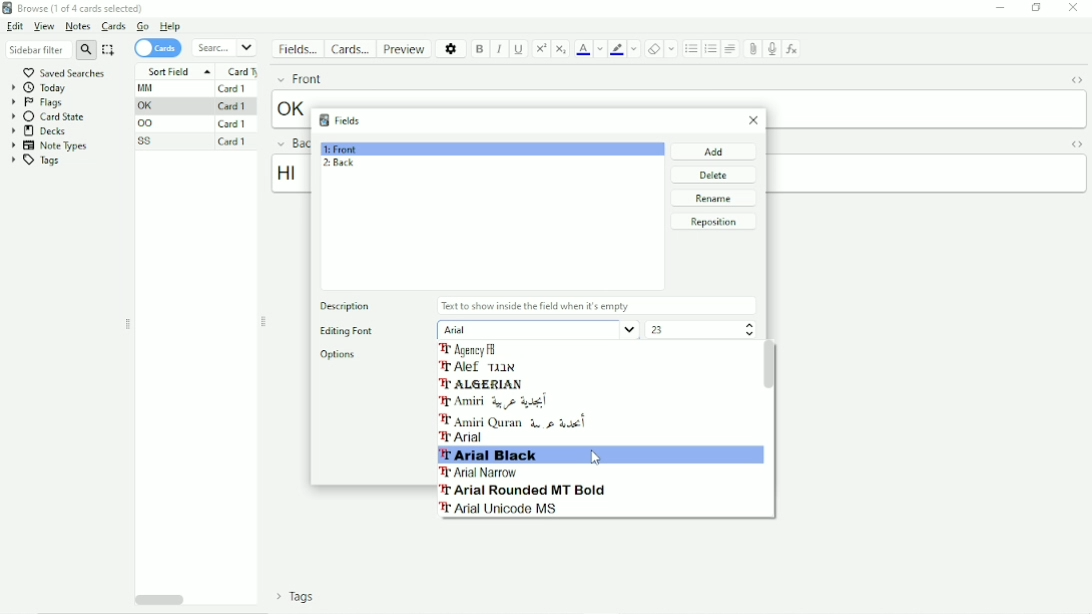 This screenshot has height=614, width=1092. I want to click on Delete, so click(715, 174).